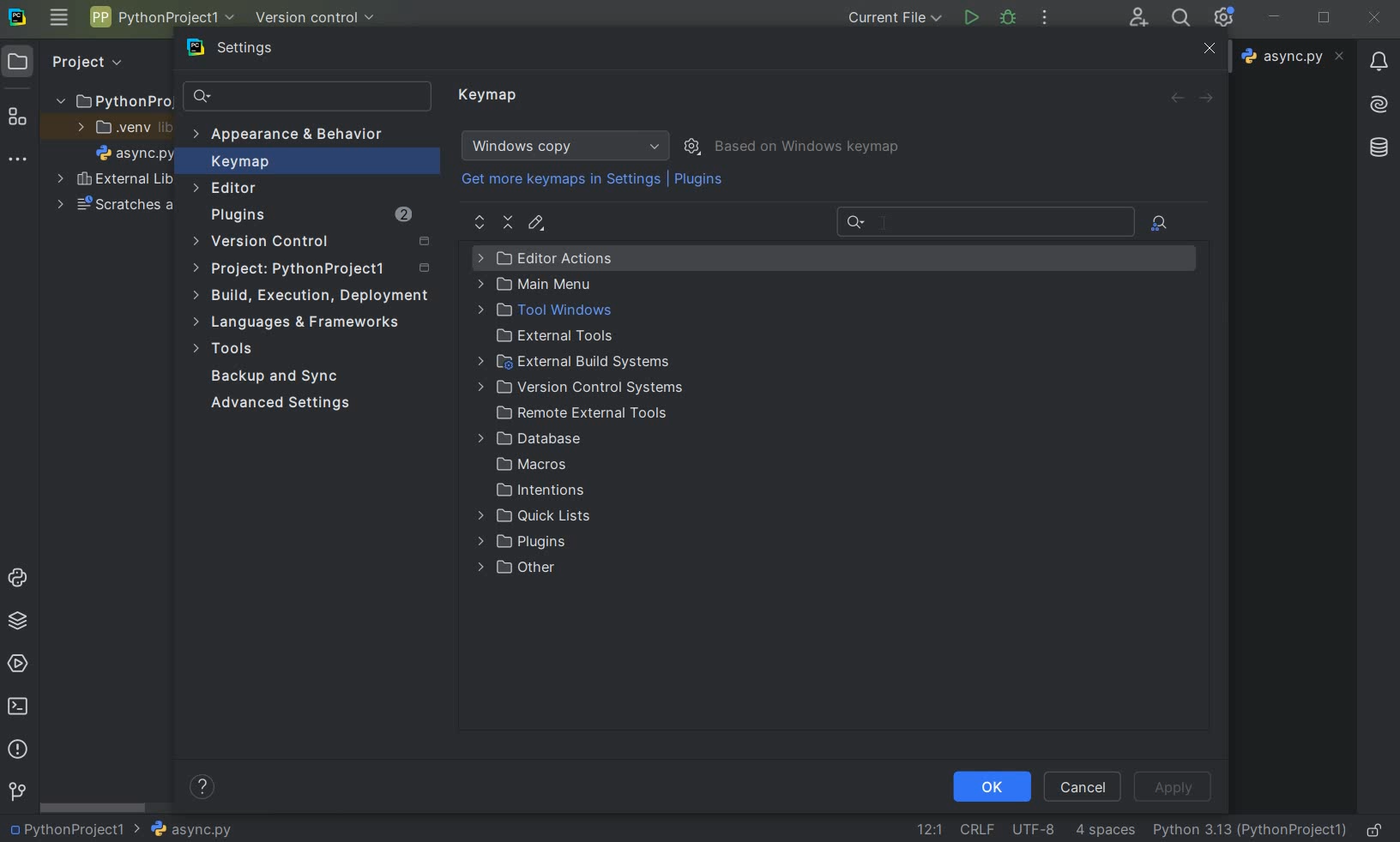 This screenshot has width=1400, height=842. Describe the element at coordinates (1178, 20) in the screenshot. I see `search everywhere` at that location.